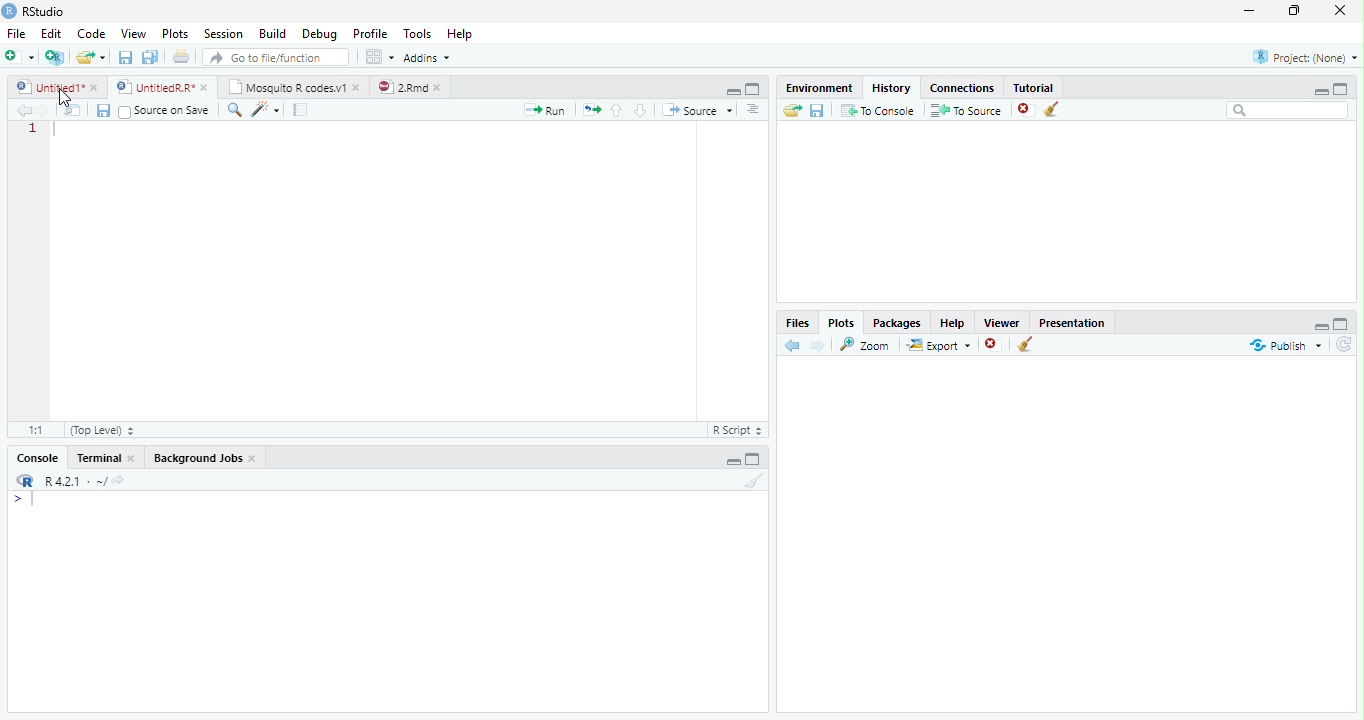 This screenshot has width=1364, height=720. Describe the element at coordinates (103, 110) in the screenshot. I see `Save` at that location.